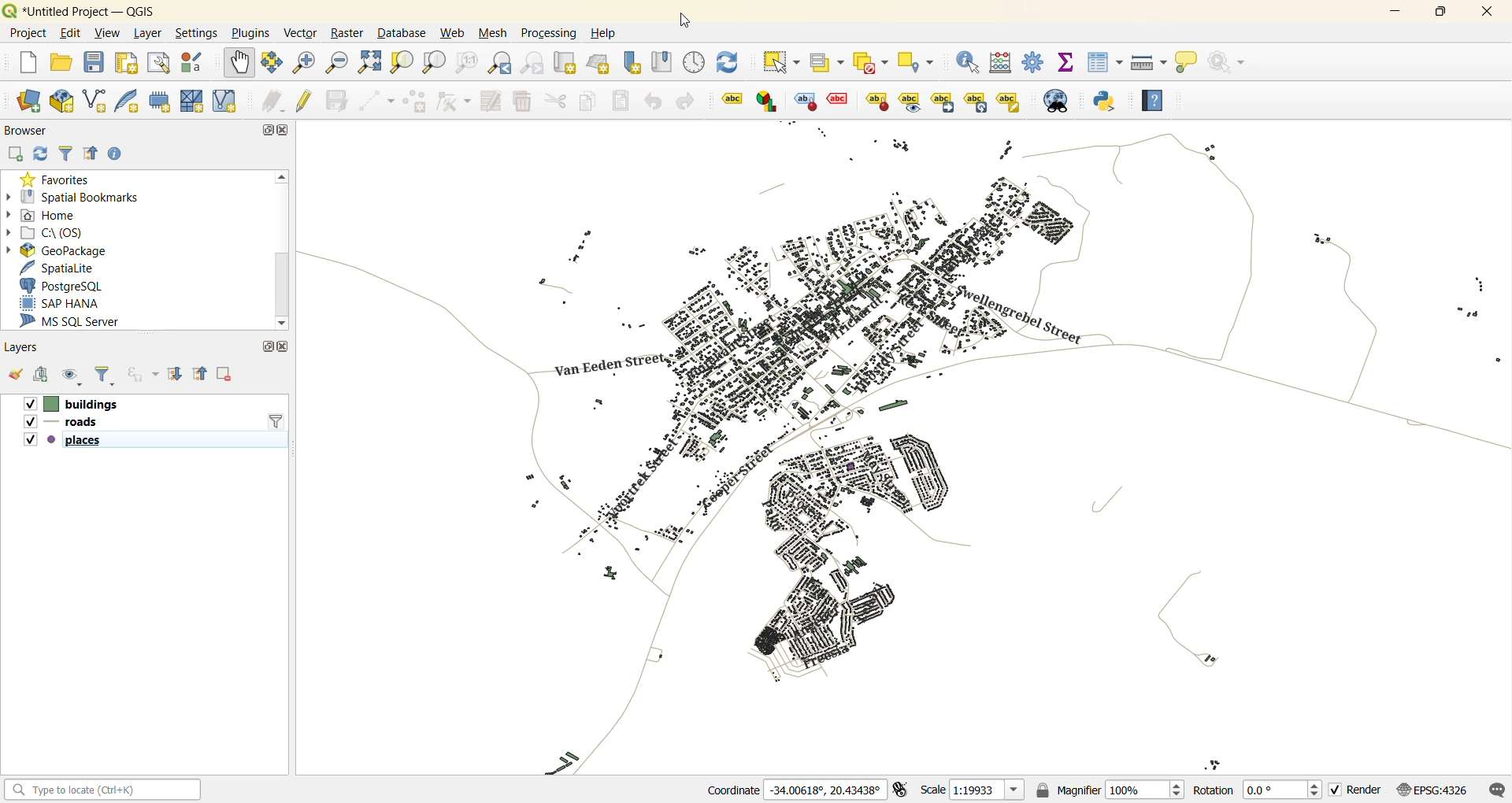 The height and width of the screenshot is (803, 1512). What do you see at coordinates (1058, 101) in the screenshot?
I see `metasearch` at bounding box center [1058, 101].